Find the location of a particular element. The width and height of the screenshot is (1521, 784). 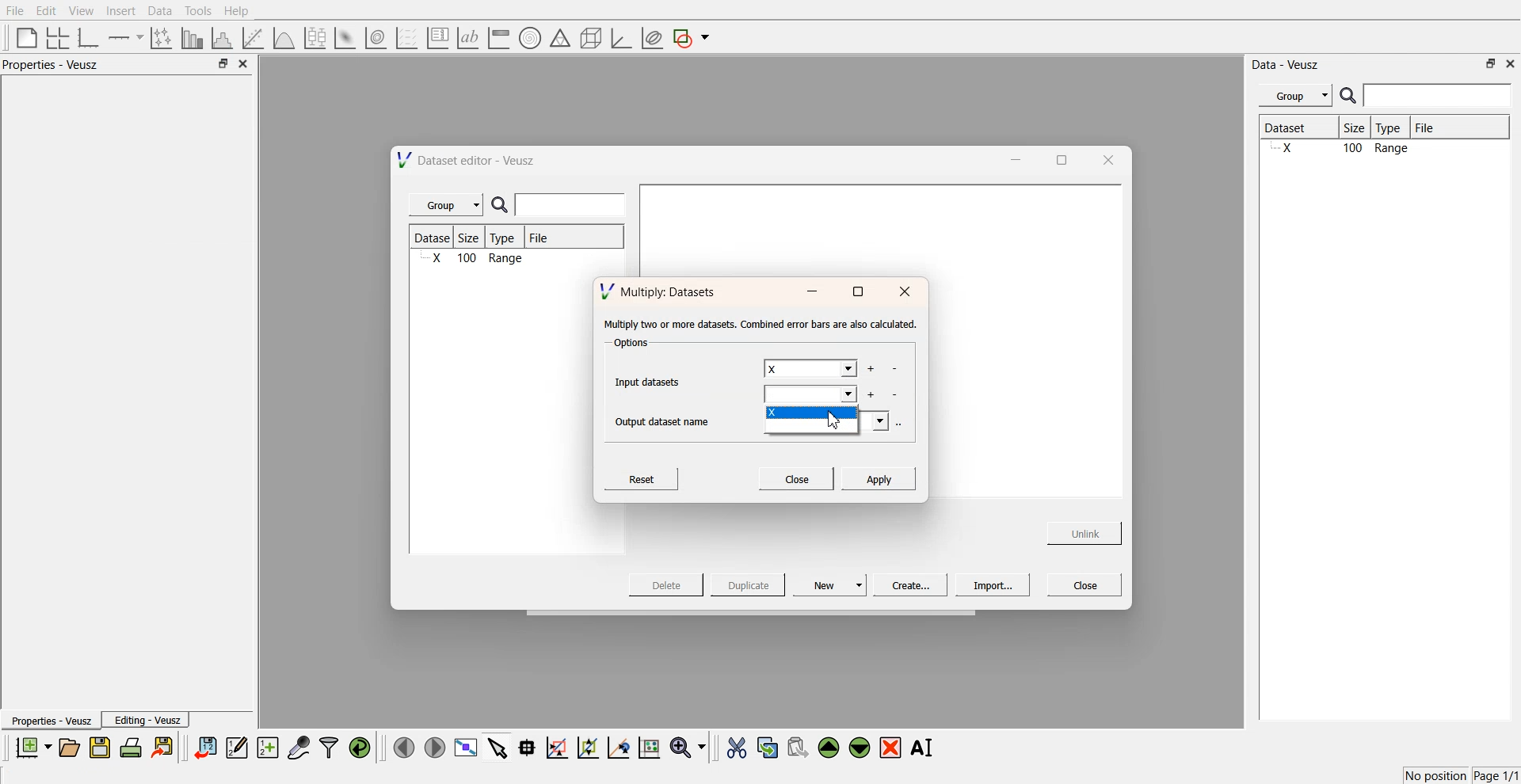

Output dataset name is located at coordinates (668, 420).